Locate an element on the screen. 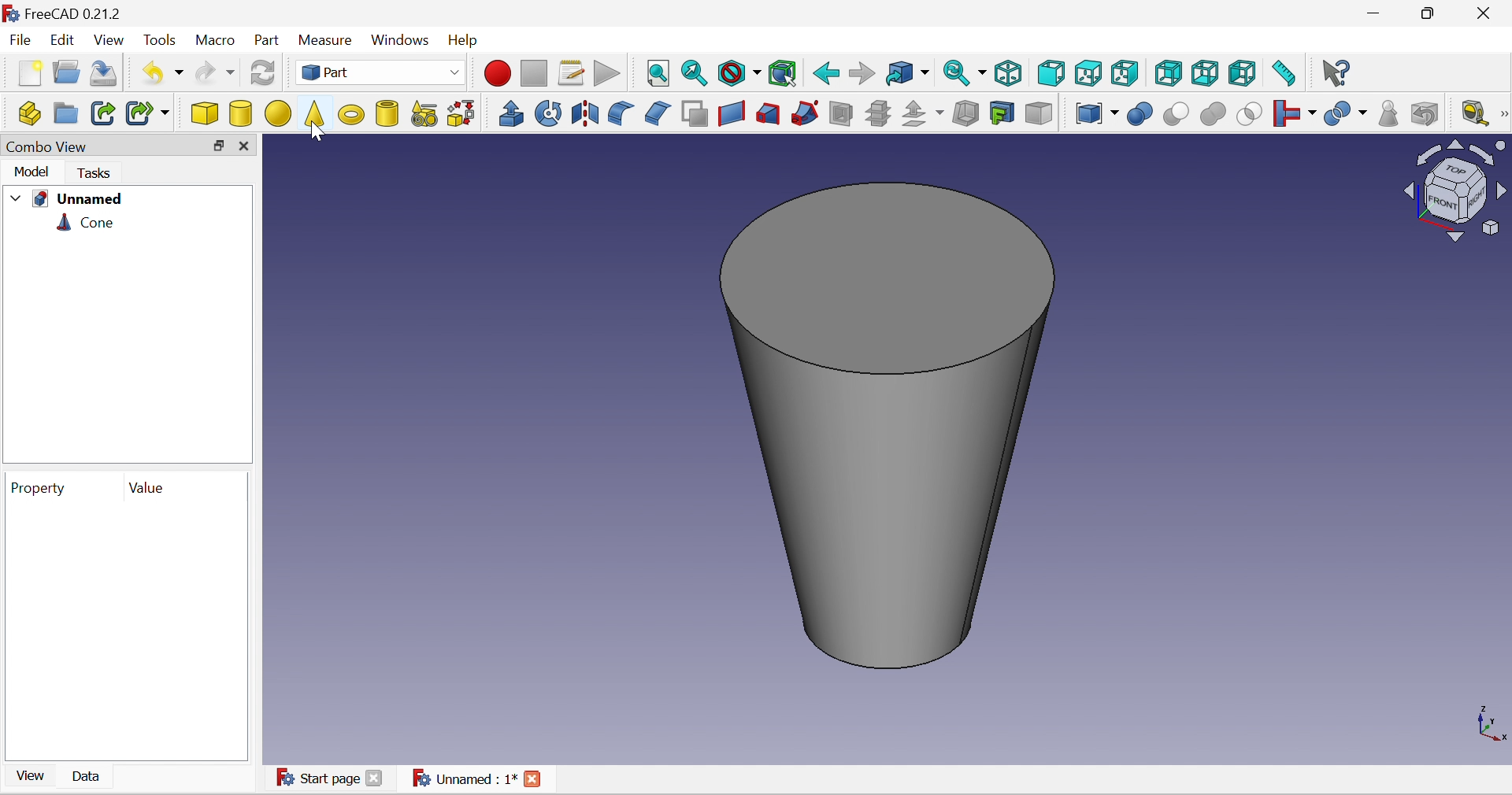 The image size is (1512, 795). Combo view is located at coordinates (47, 146).